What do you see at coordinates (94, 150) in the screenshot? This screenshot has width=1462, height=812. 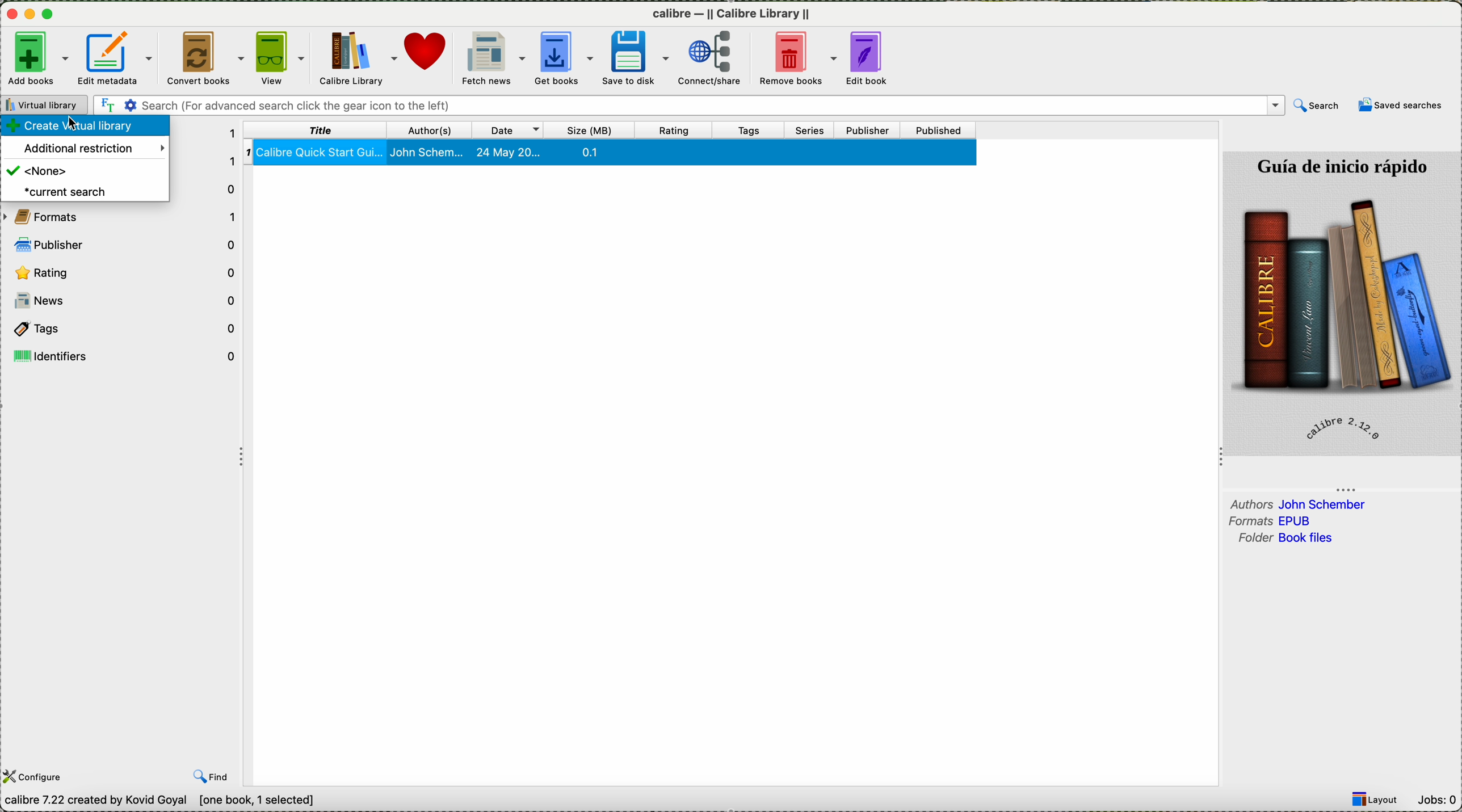 I see `additional restriction` at bounding box center [94, 150].